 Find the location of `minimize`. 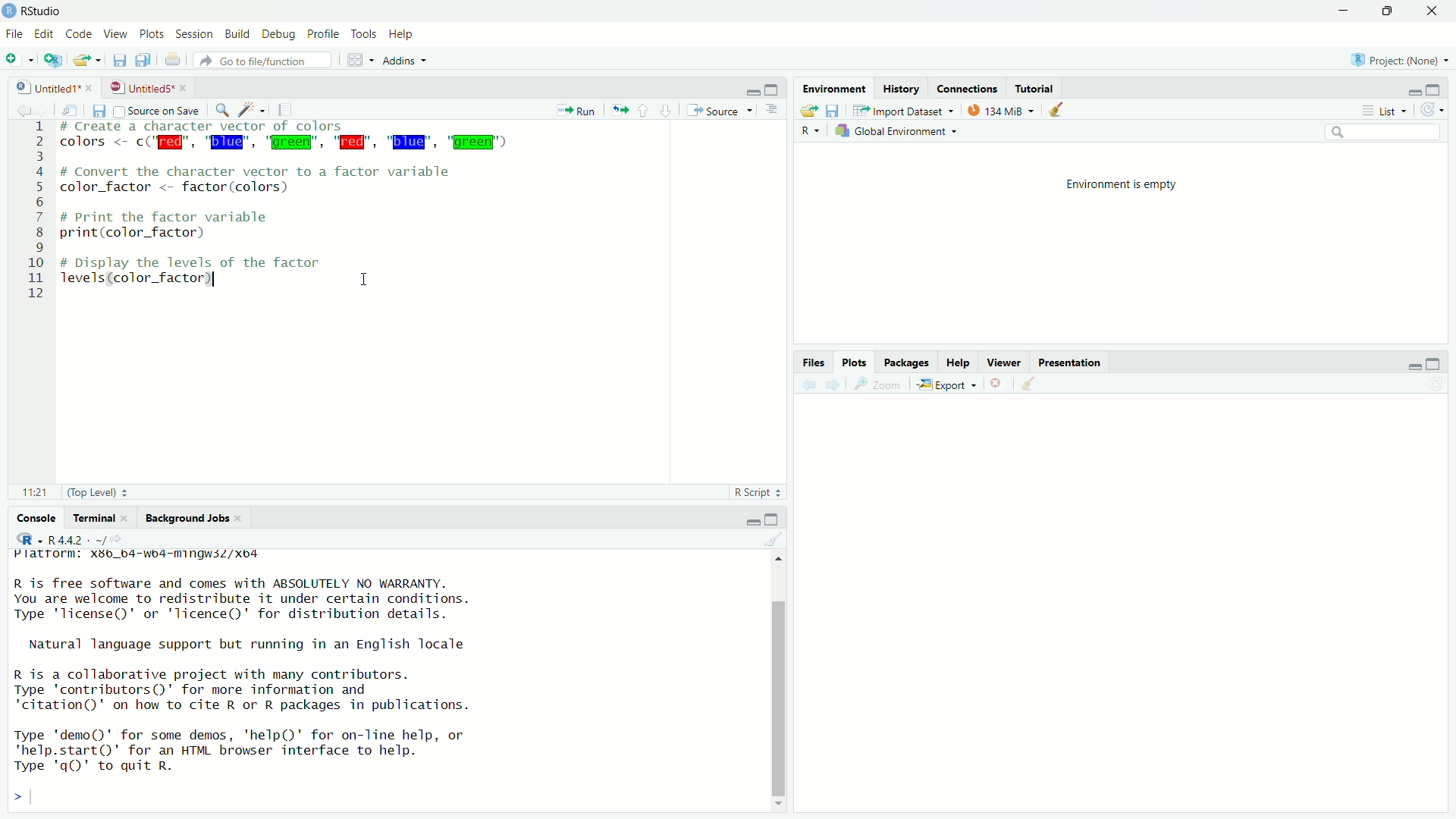

minimize is located at coordinates (1407, 364).